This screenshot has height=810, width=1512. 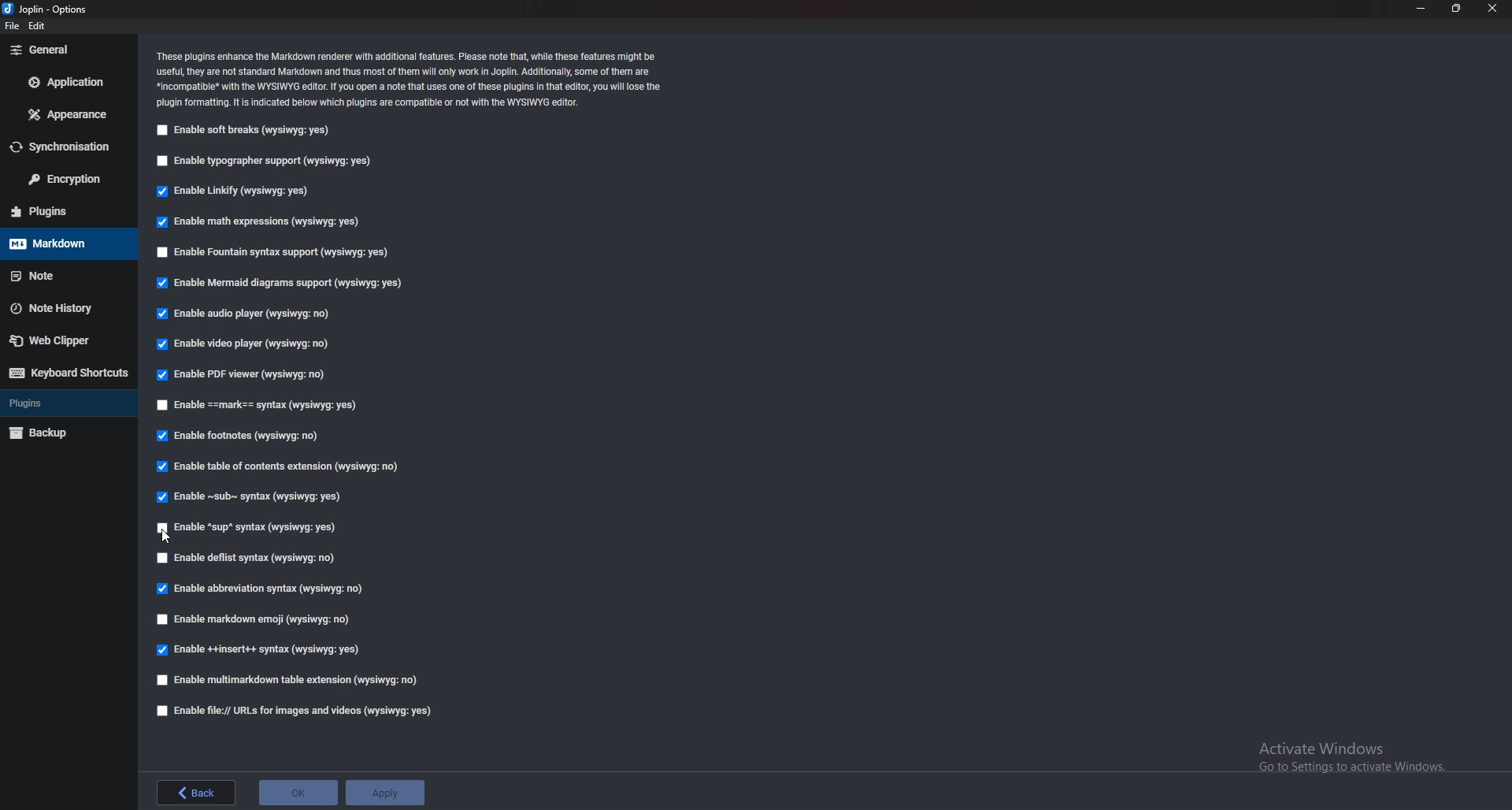 I want to click on file, so click(x=11, y=27).